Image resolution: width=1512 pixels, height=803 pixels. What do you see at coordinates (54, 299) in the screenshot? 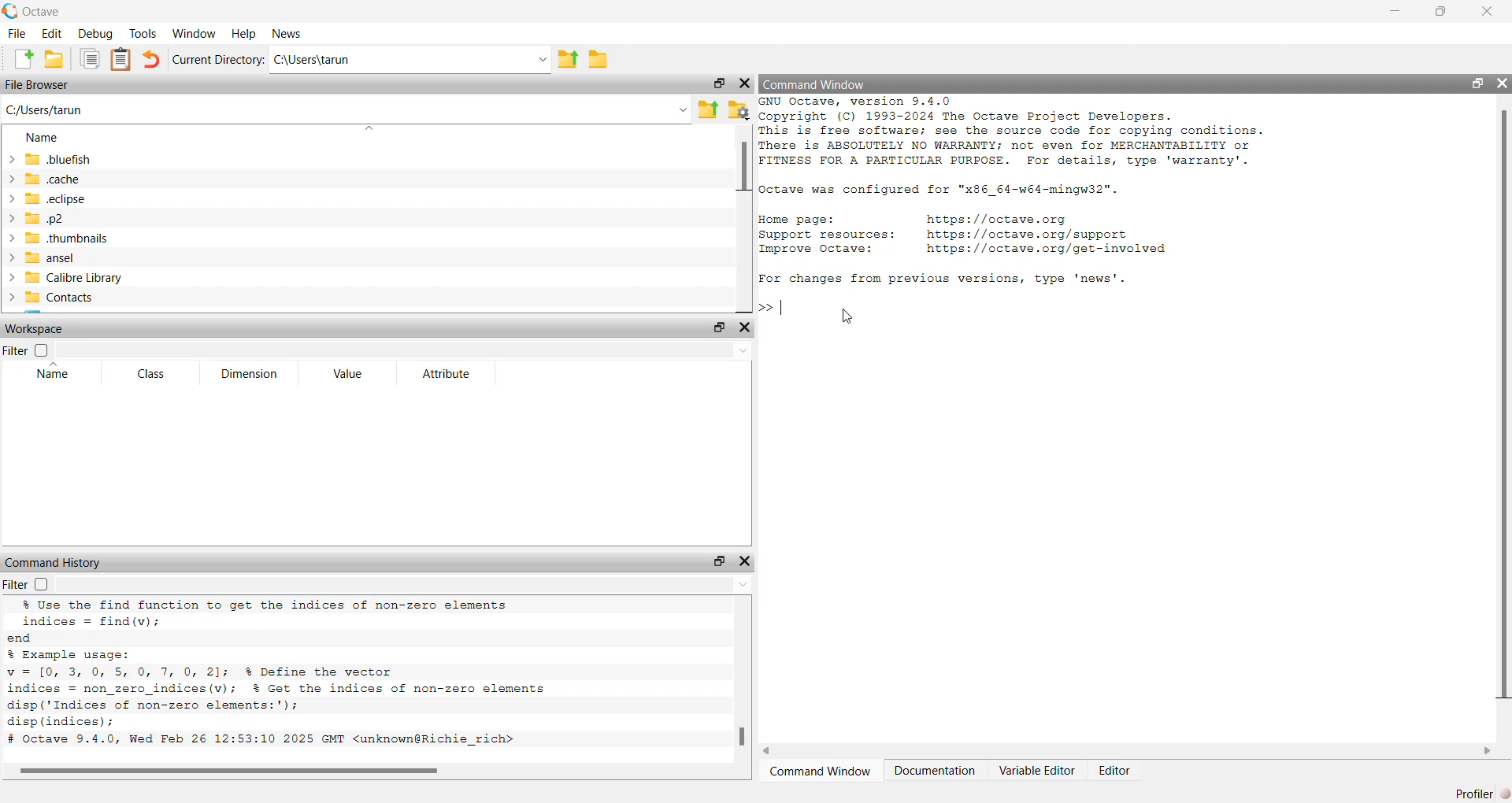
I see ` Contacts` at bounding box center [54, 299].